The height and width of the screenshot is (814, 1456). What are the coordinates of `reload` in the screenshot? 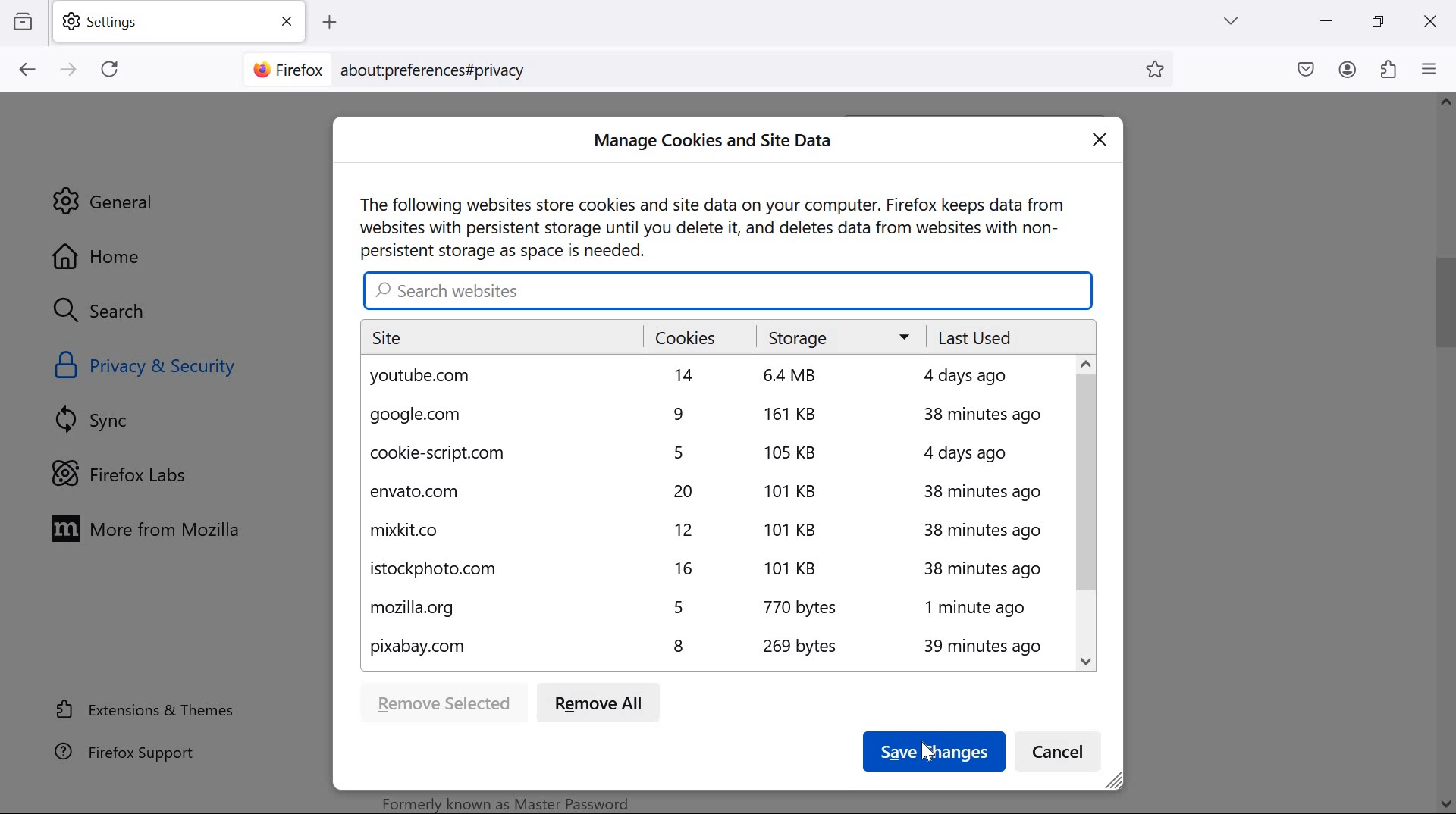 It's located at (109, 68).